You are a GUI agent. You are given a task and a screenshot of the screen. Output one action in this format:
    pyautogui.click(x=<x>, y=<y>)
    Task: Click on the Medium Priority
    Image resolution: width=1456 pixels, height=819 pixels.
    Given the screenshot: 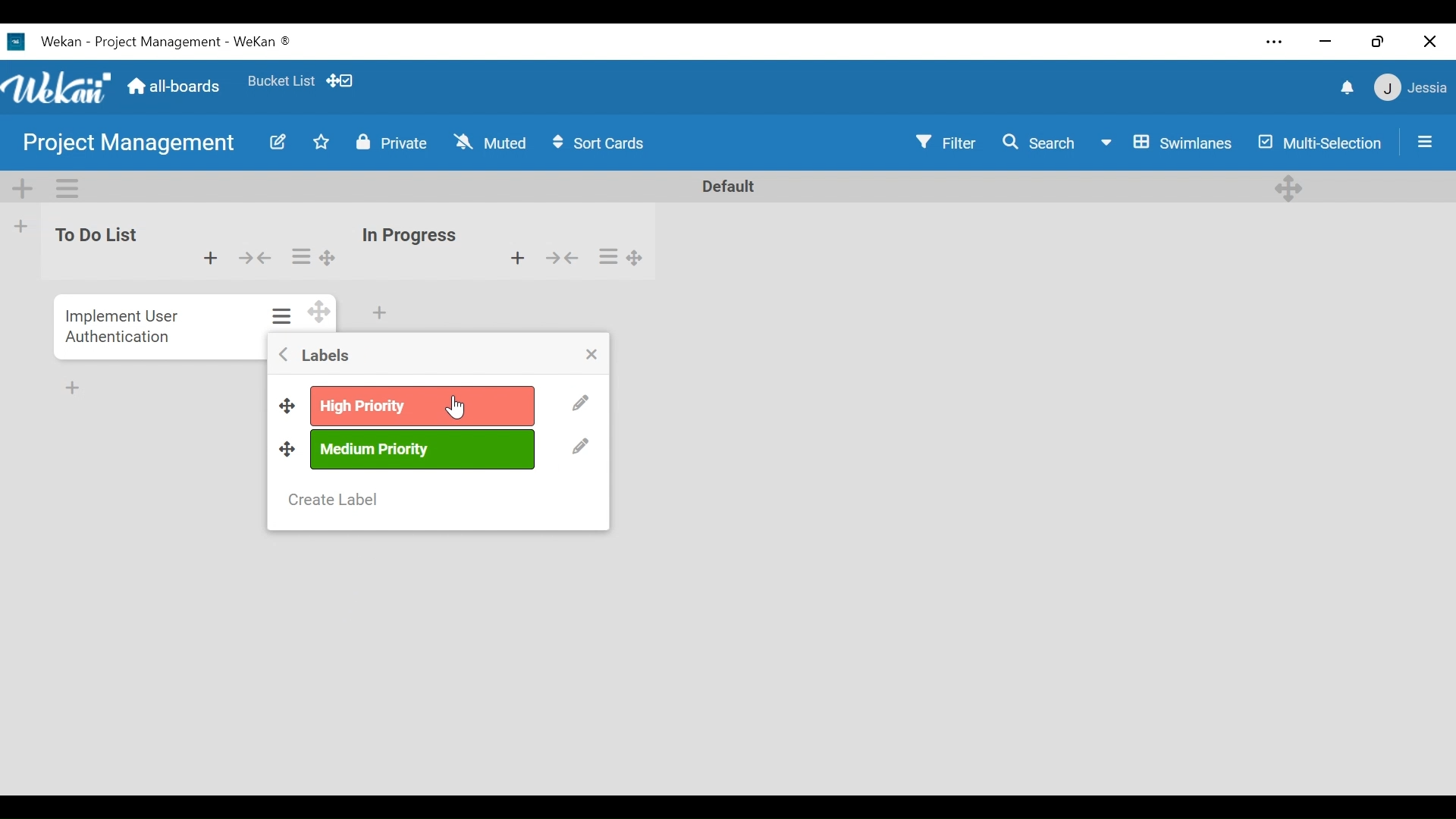 What is the action you would take?
    pyautogui.click(x=425, y=449)
    